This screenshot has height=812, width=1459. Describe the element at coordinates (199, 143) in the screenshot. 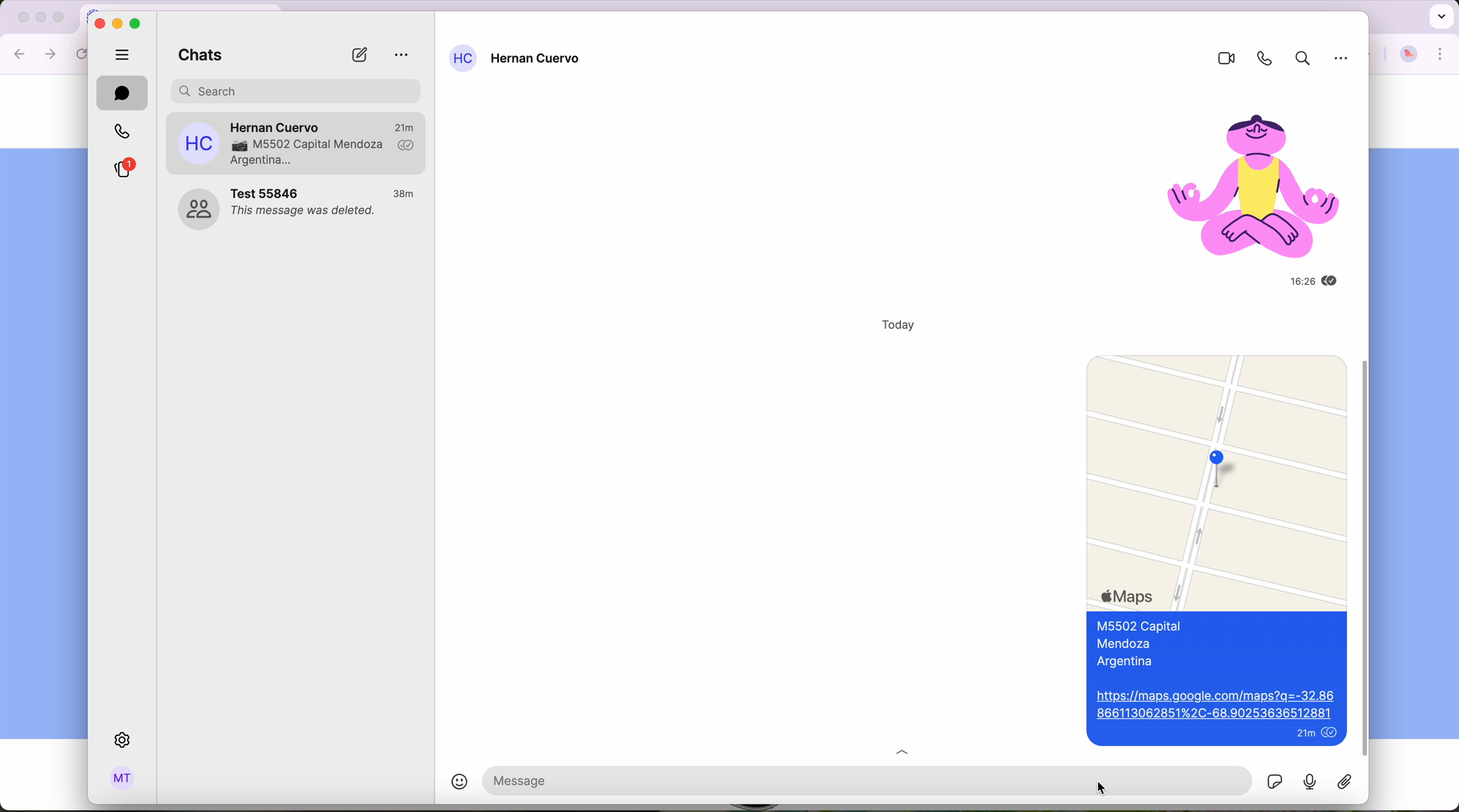

I see `profile icon` at that location.